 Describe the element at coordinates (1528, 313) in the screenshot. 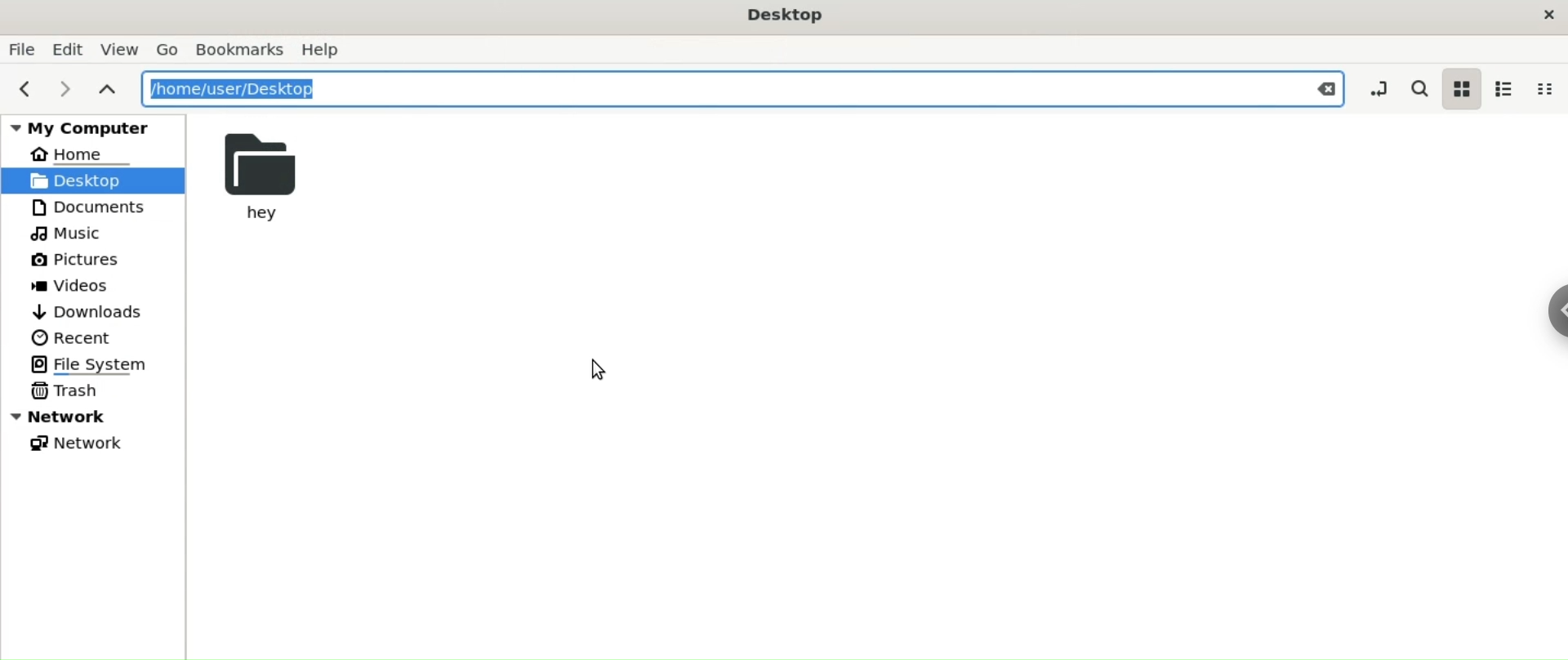

I see `Sidebar` at that location.